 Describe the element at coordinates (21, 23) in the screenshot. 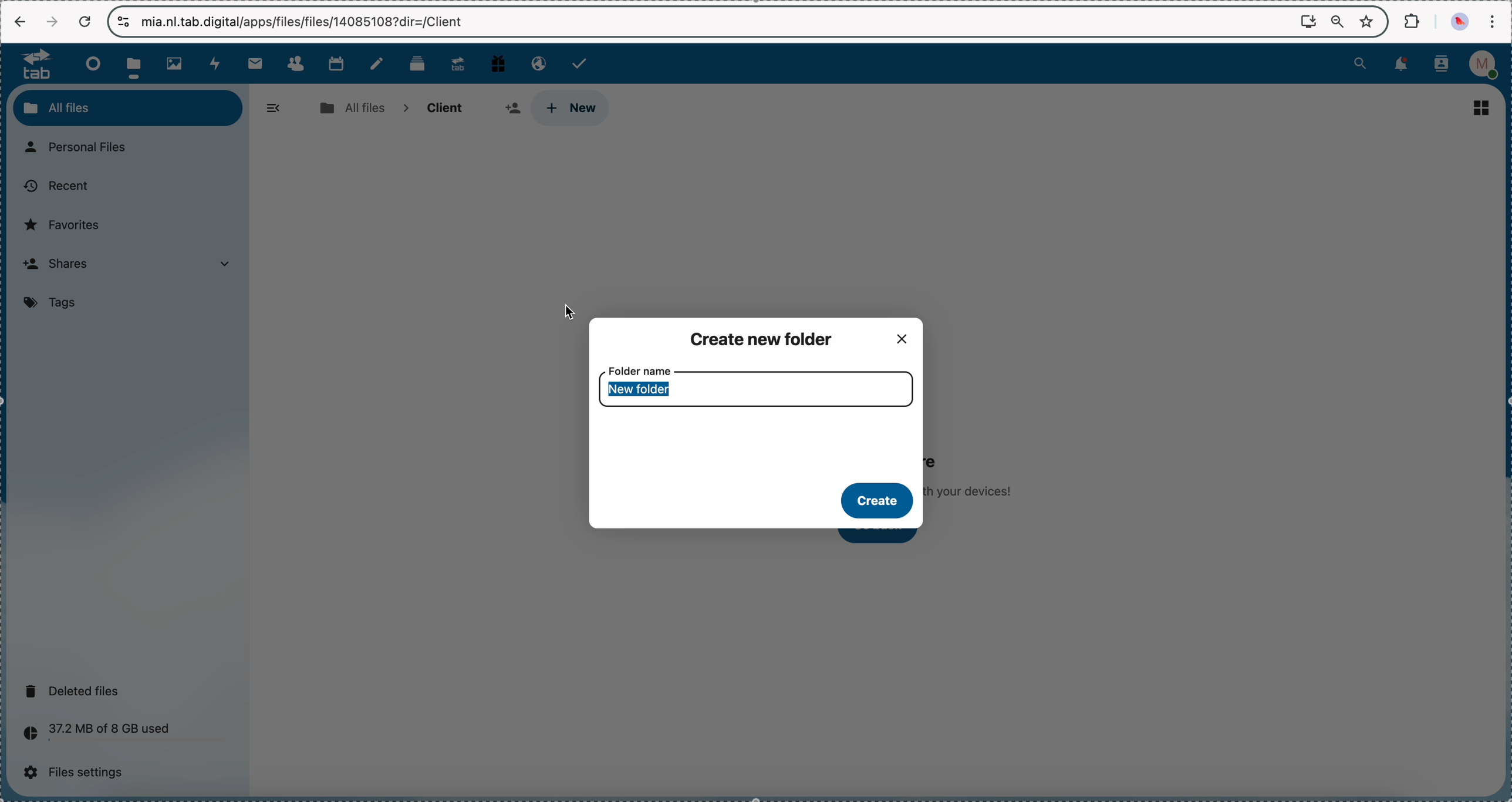

I see `navigate back` at that location.